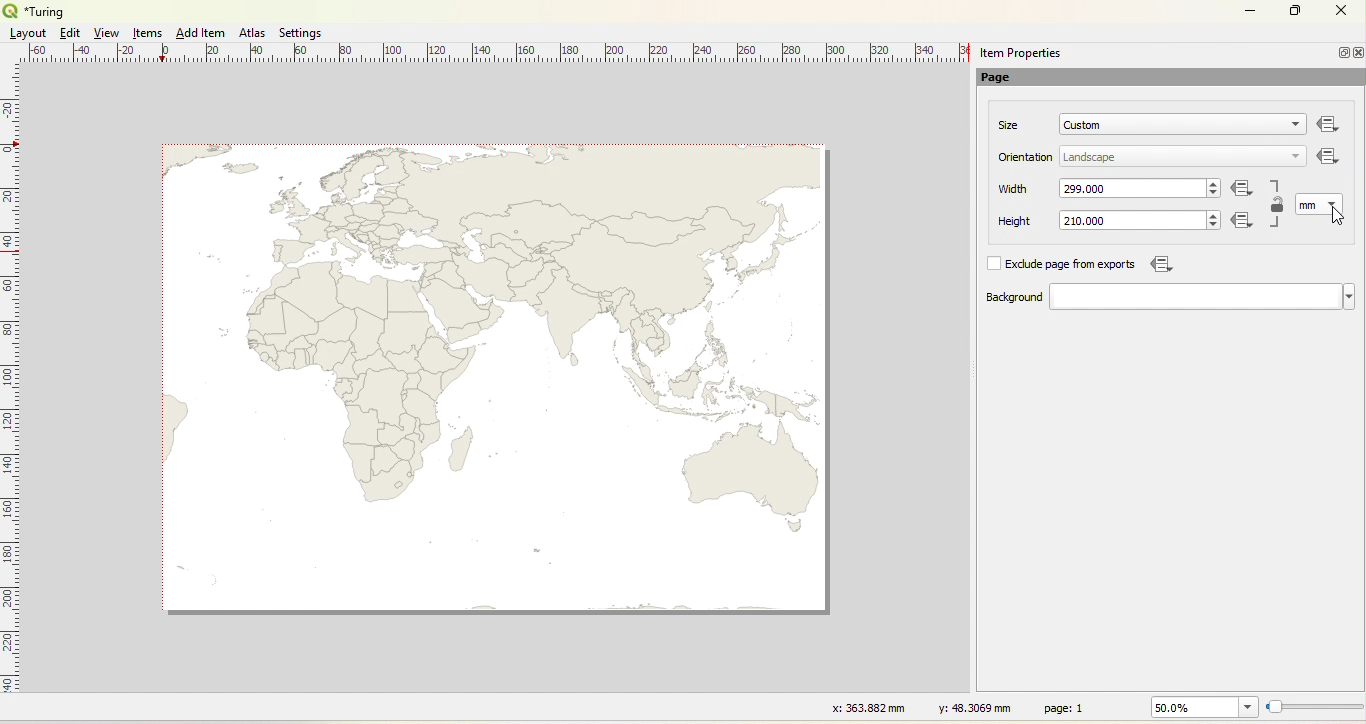  Describe the element at coordinates (1307, 206) in the screenshot. I see `unit` at that location.